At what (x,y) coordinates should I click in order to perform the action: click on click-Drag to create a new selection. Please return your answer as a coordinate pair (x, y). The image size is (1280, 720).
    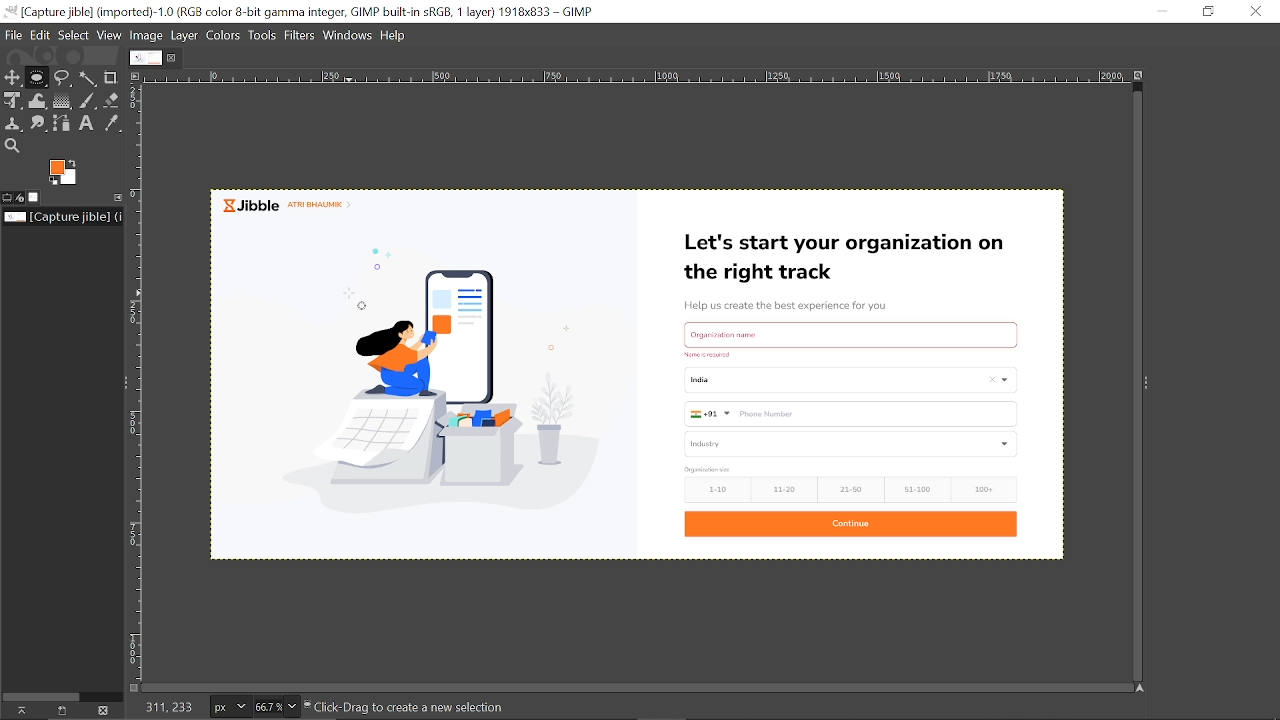
    Looking at the image, I should click on (416, 707).